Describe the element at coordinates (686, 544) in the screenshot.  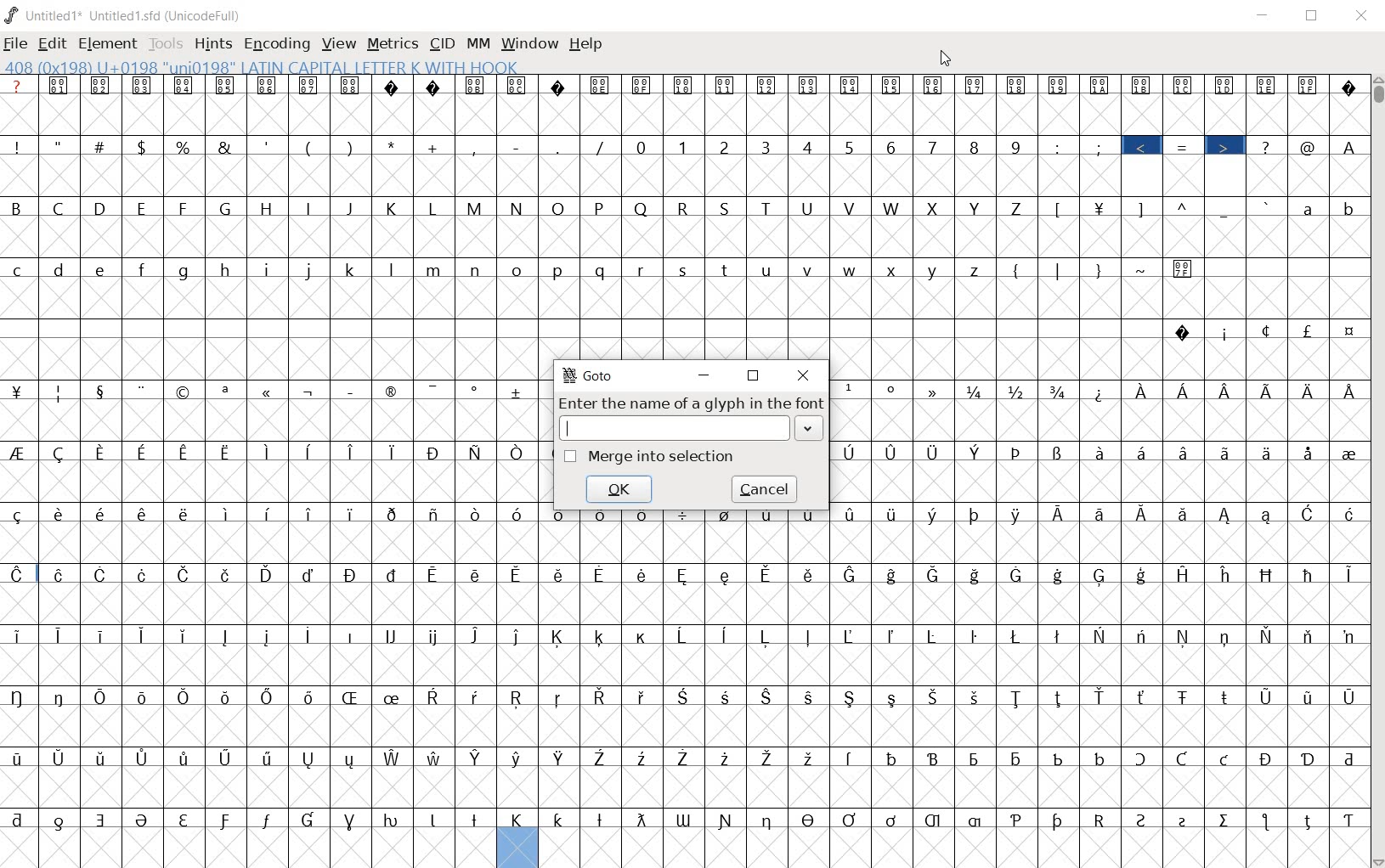
I see `empty glyph slots` at that location.